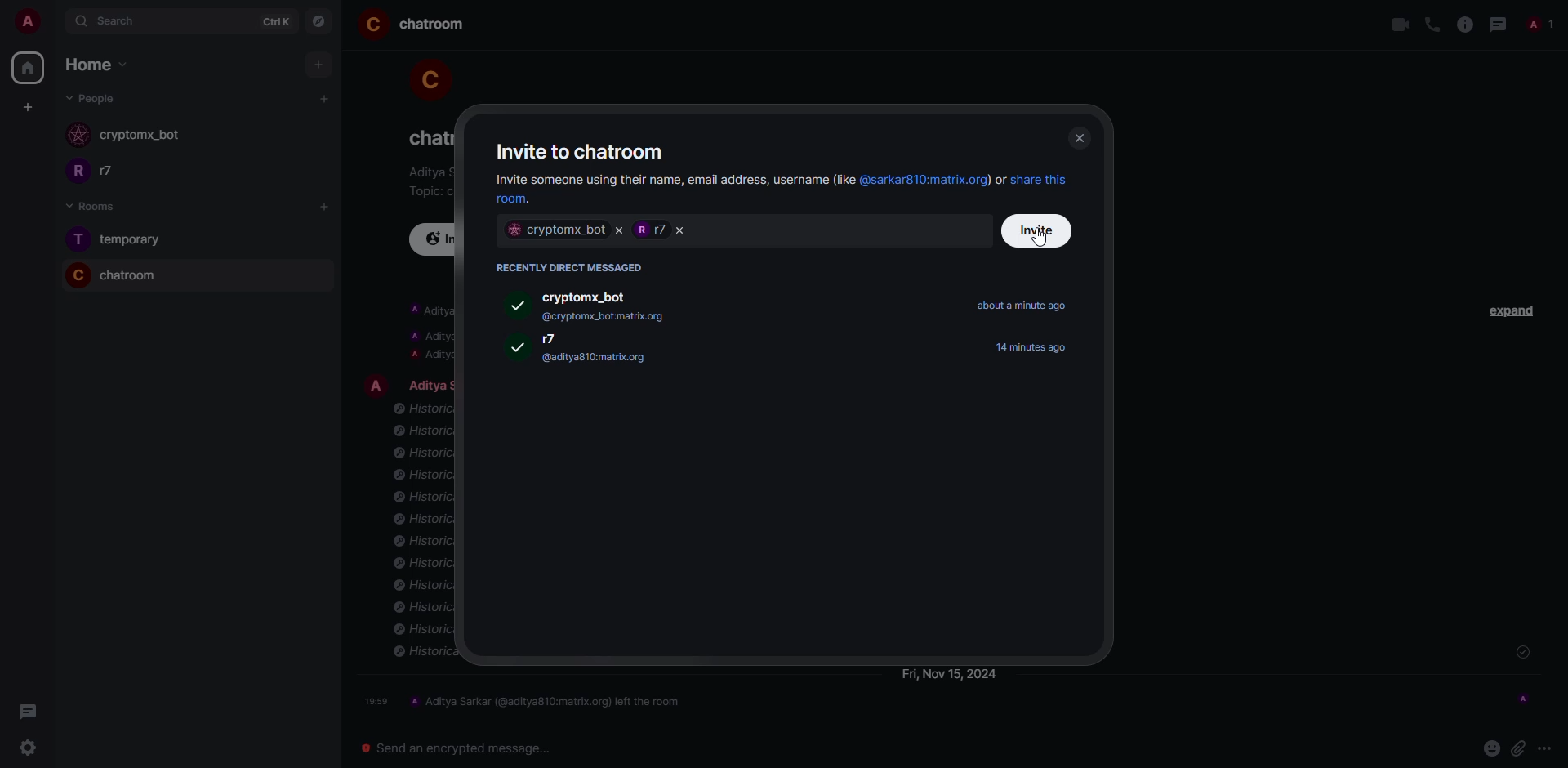 The height and width of the screenshot is (768, 1568). I want to click on sent, so click(1521, 653).